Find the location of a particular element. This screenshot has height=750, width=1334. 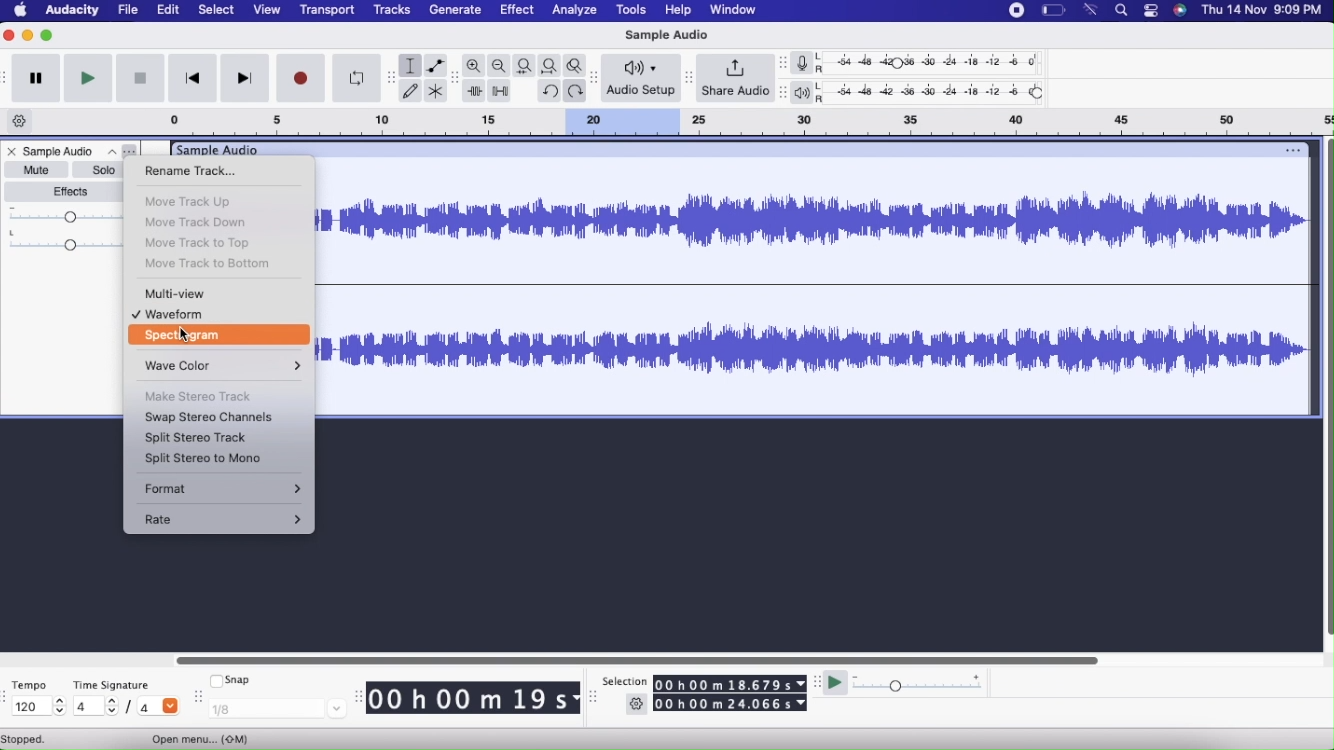

move toolbar is located at coordinates (198, 699).